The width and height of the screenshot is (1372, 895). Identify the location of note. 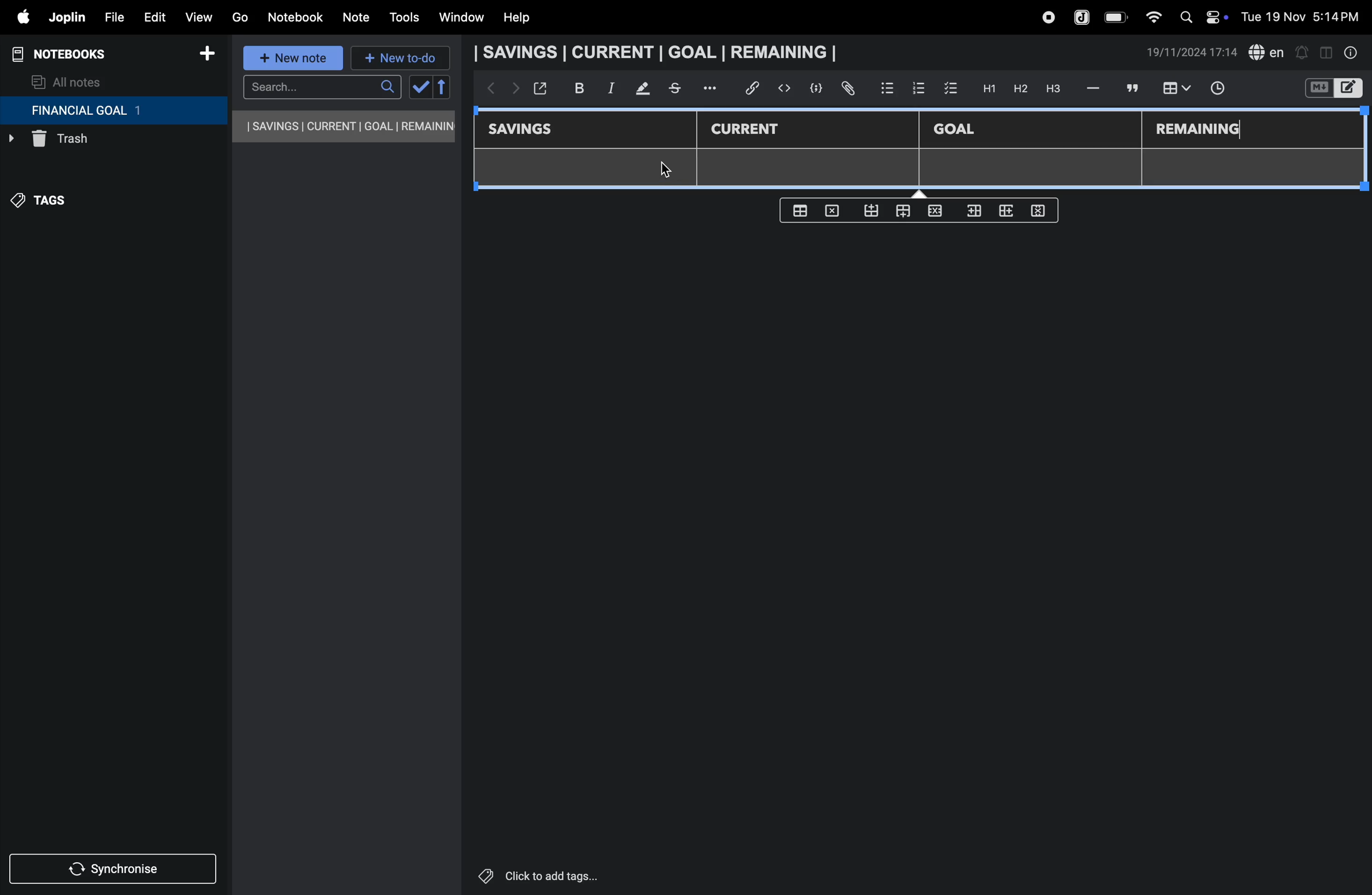
(358, 18).